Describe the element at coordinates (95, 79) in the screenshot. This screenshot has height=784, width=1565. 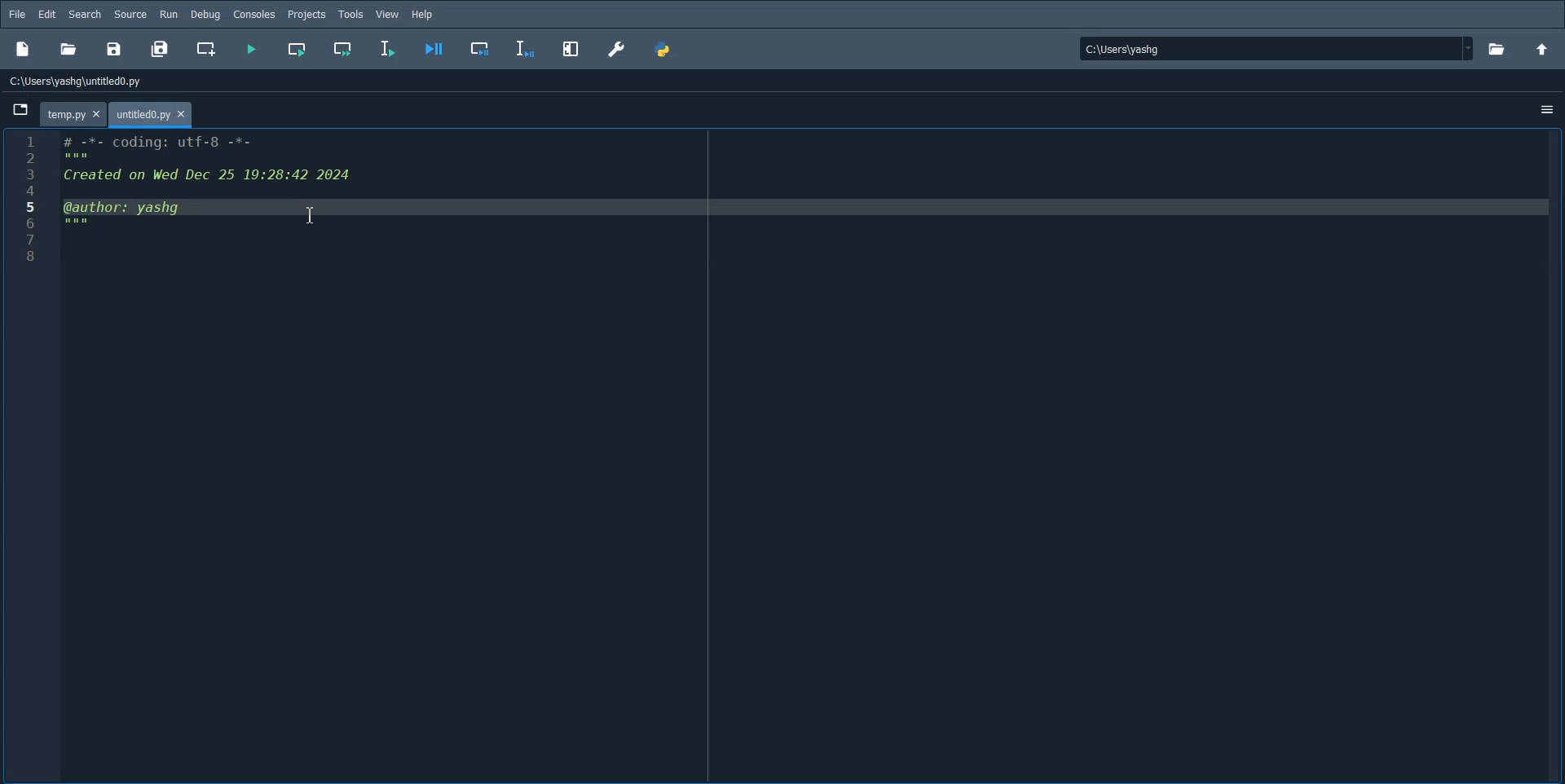
I see `C:\Users\yashg\untitiedo.py` at that location.